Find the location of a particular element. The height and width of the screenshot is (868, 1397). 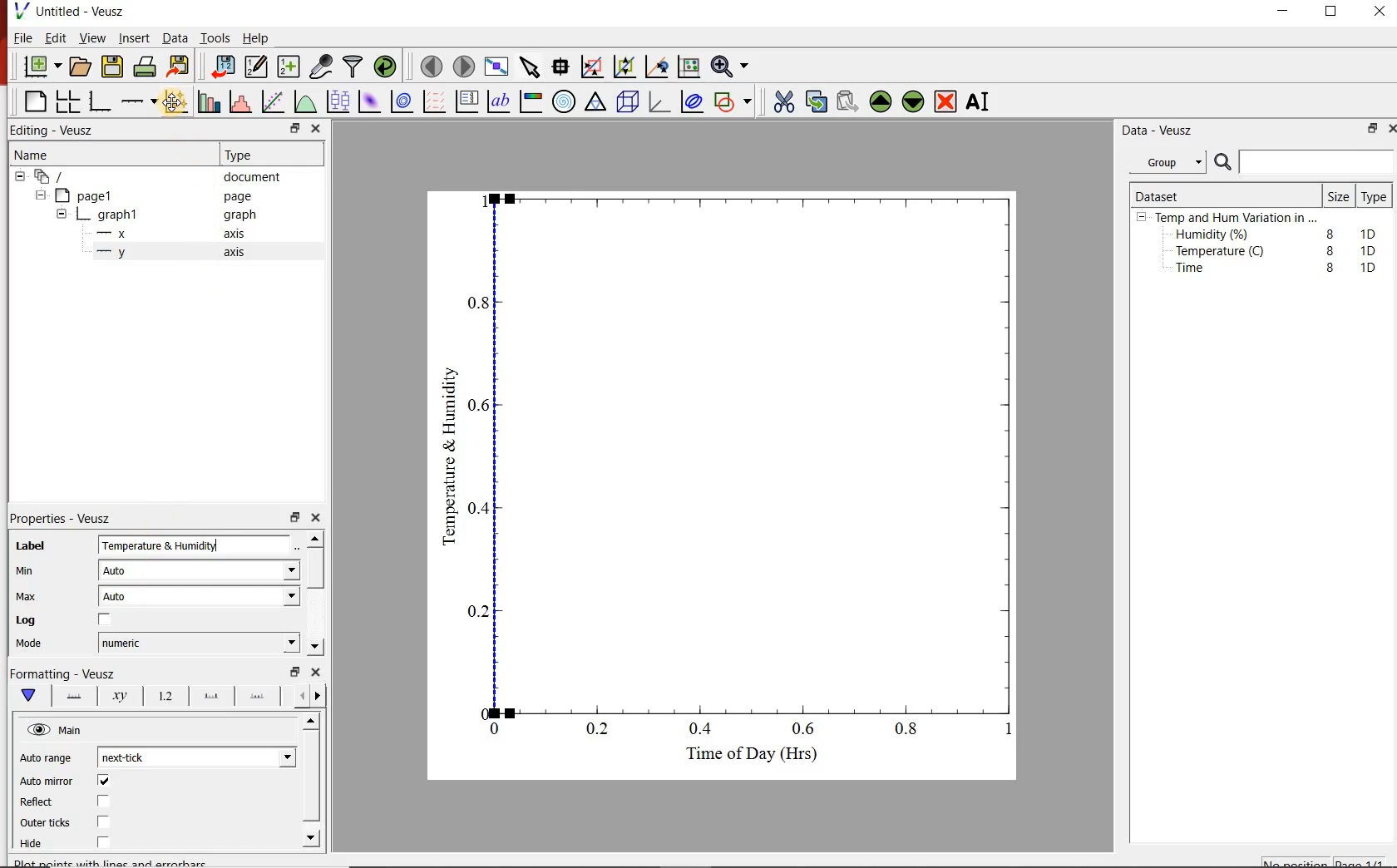

Auto is located at coordinates (124, 599).